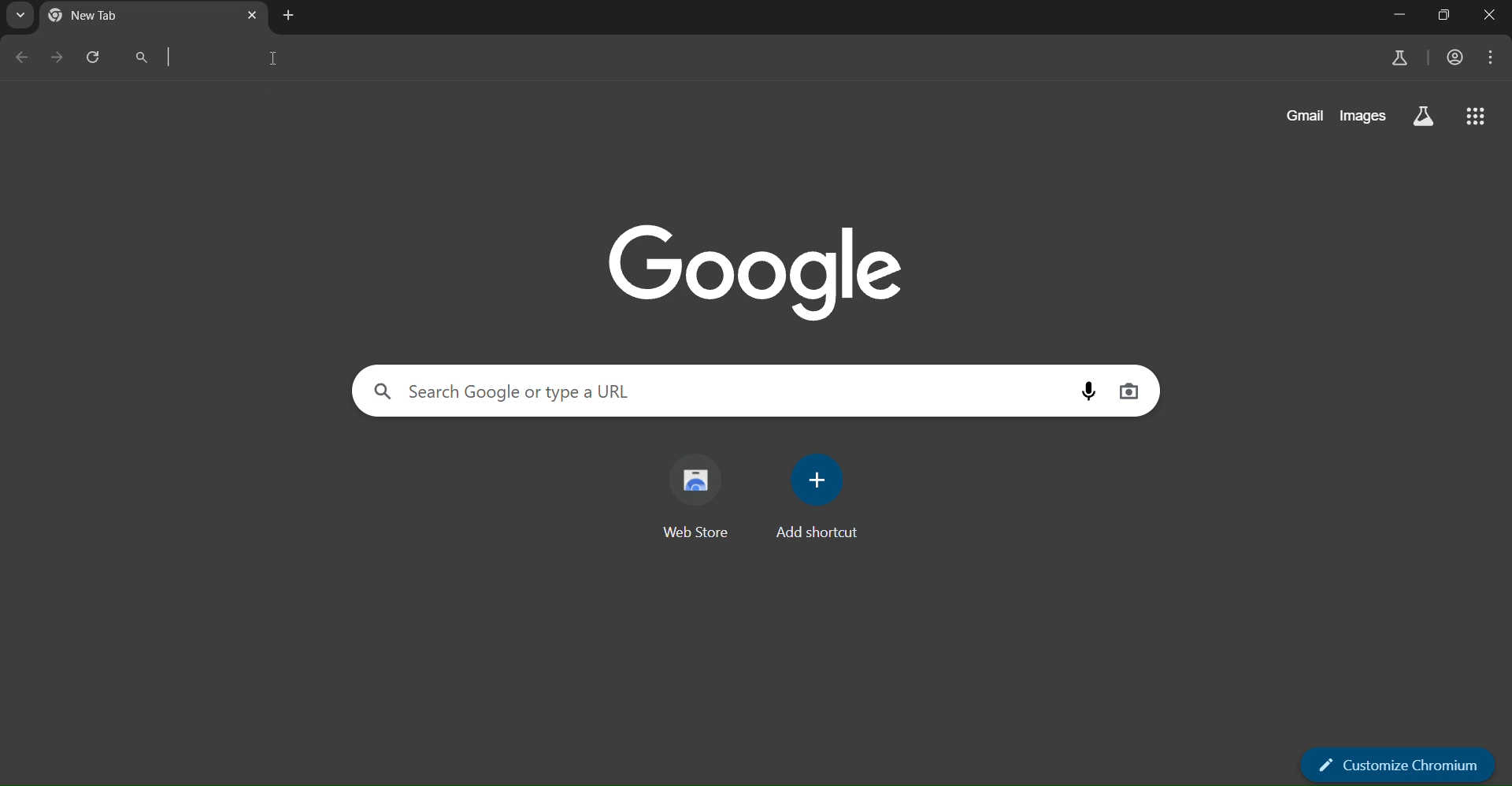  What do you see at coordinates (1084, 390) in the screenshot?
I see `voice search` at bounding box center [1084, 390].